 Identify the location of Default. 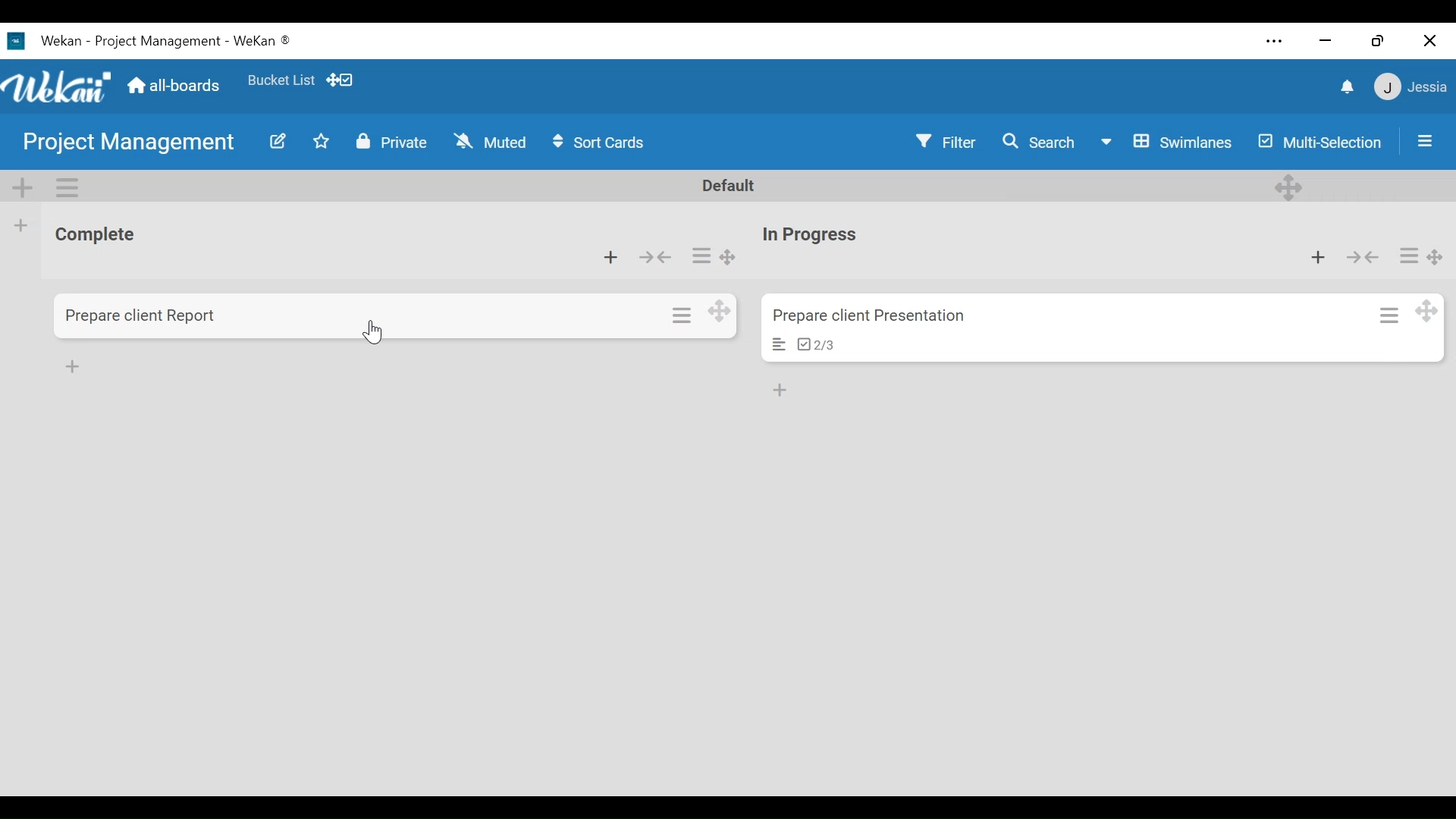
(730, 186).